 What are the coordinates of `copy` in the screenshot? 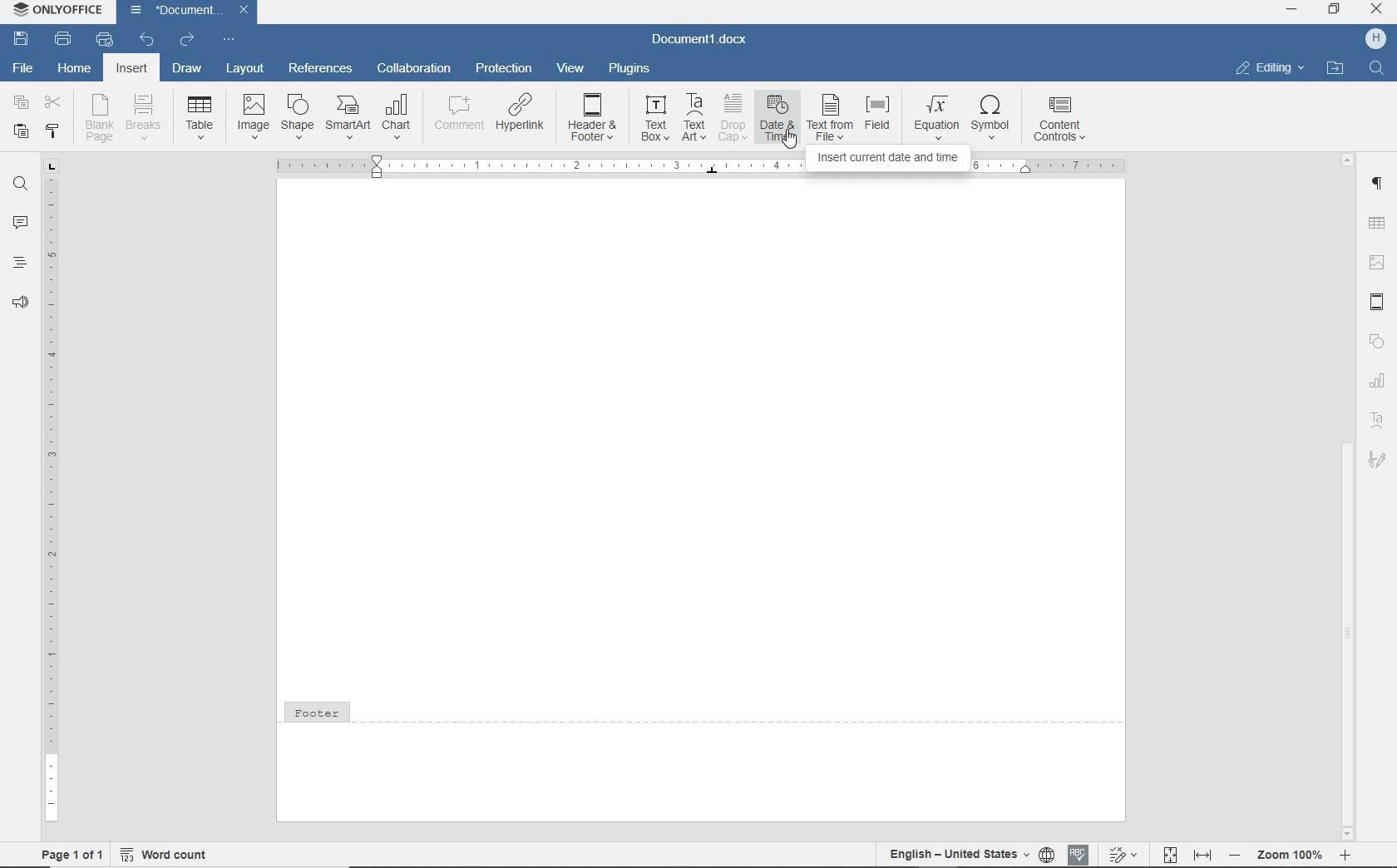 It's located at (22, 102).